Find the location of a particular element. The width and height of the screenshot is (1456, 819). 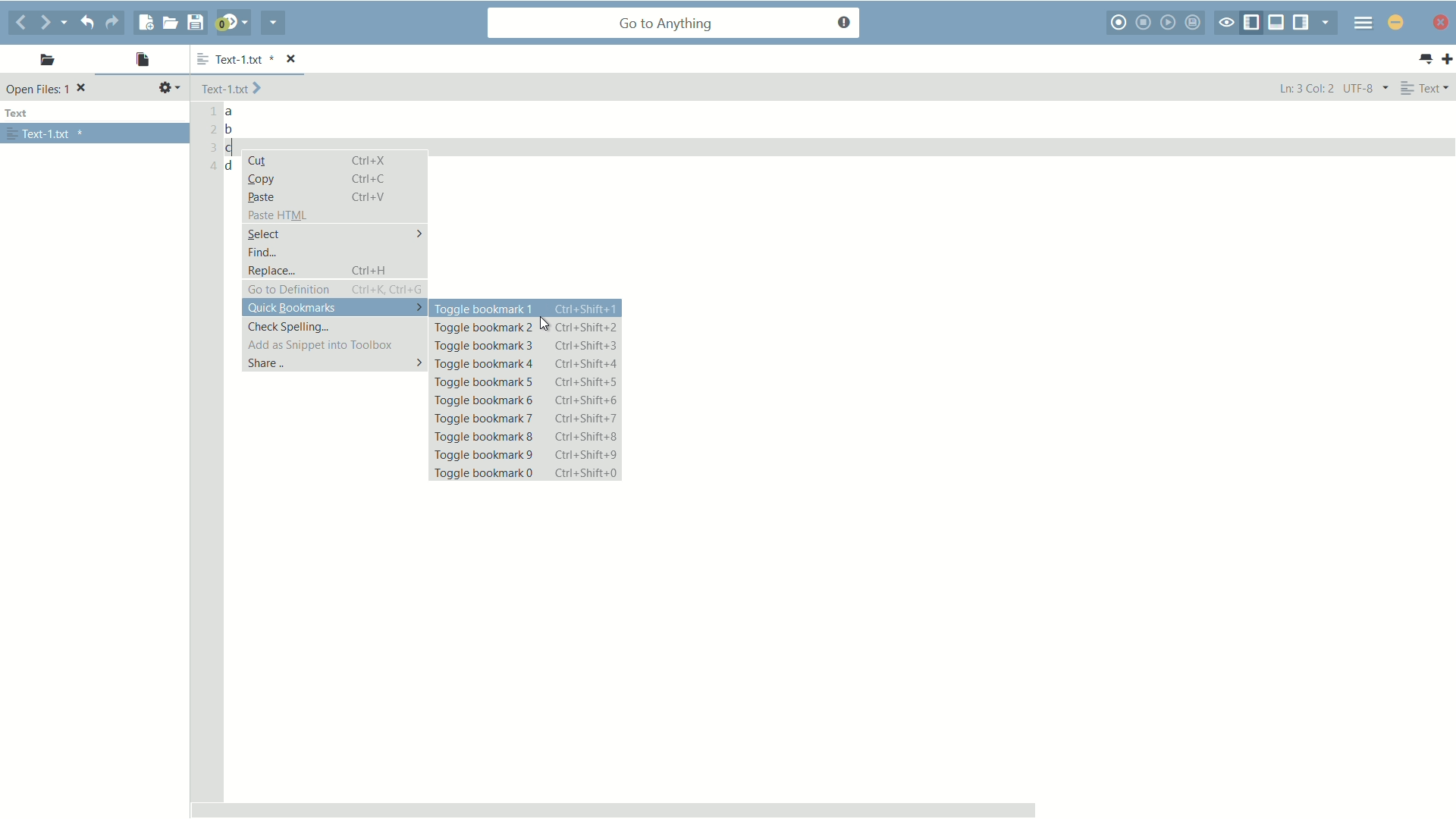

go to definition is located at coordinates (335, 290).